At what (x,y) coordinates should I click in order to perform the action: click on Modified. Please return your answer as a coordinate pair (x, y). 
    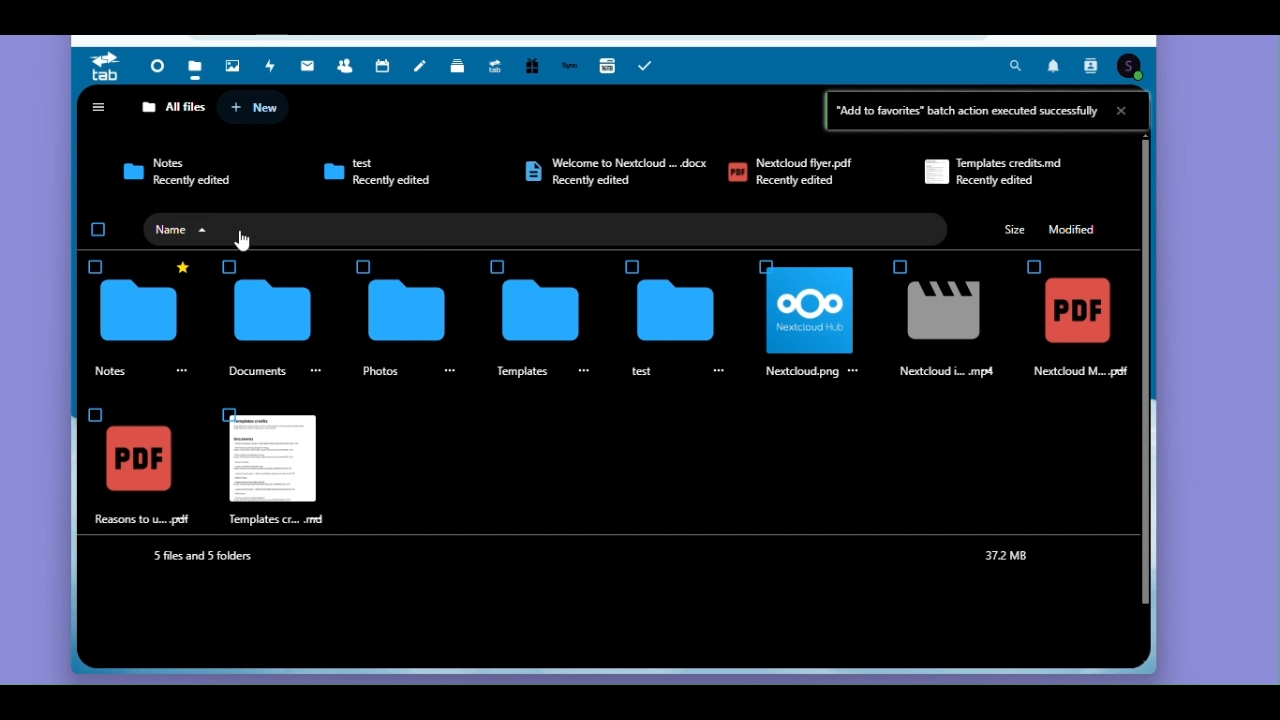
    Looking at the image, I should click on (1079, 230).